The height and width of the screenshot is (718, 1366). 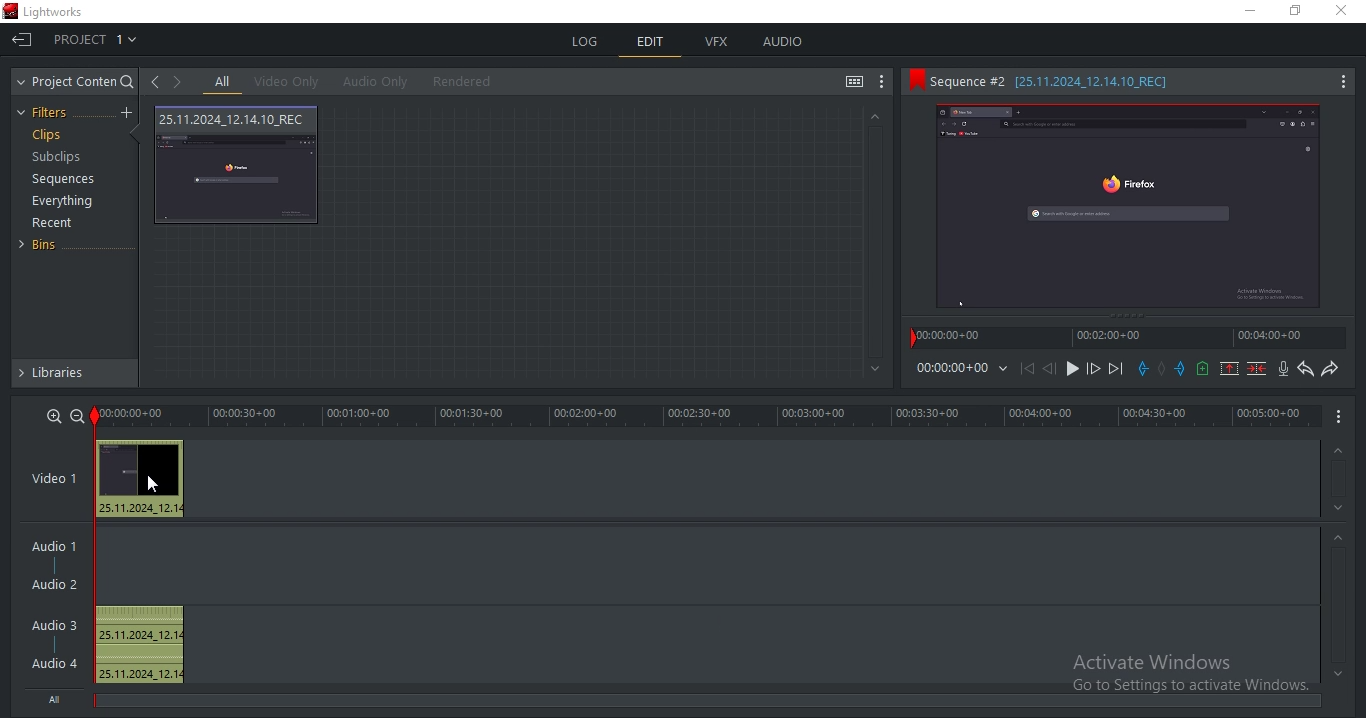 I want to click on undo, so click(x=1303, y=369).